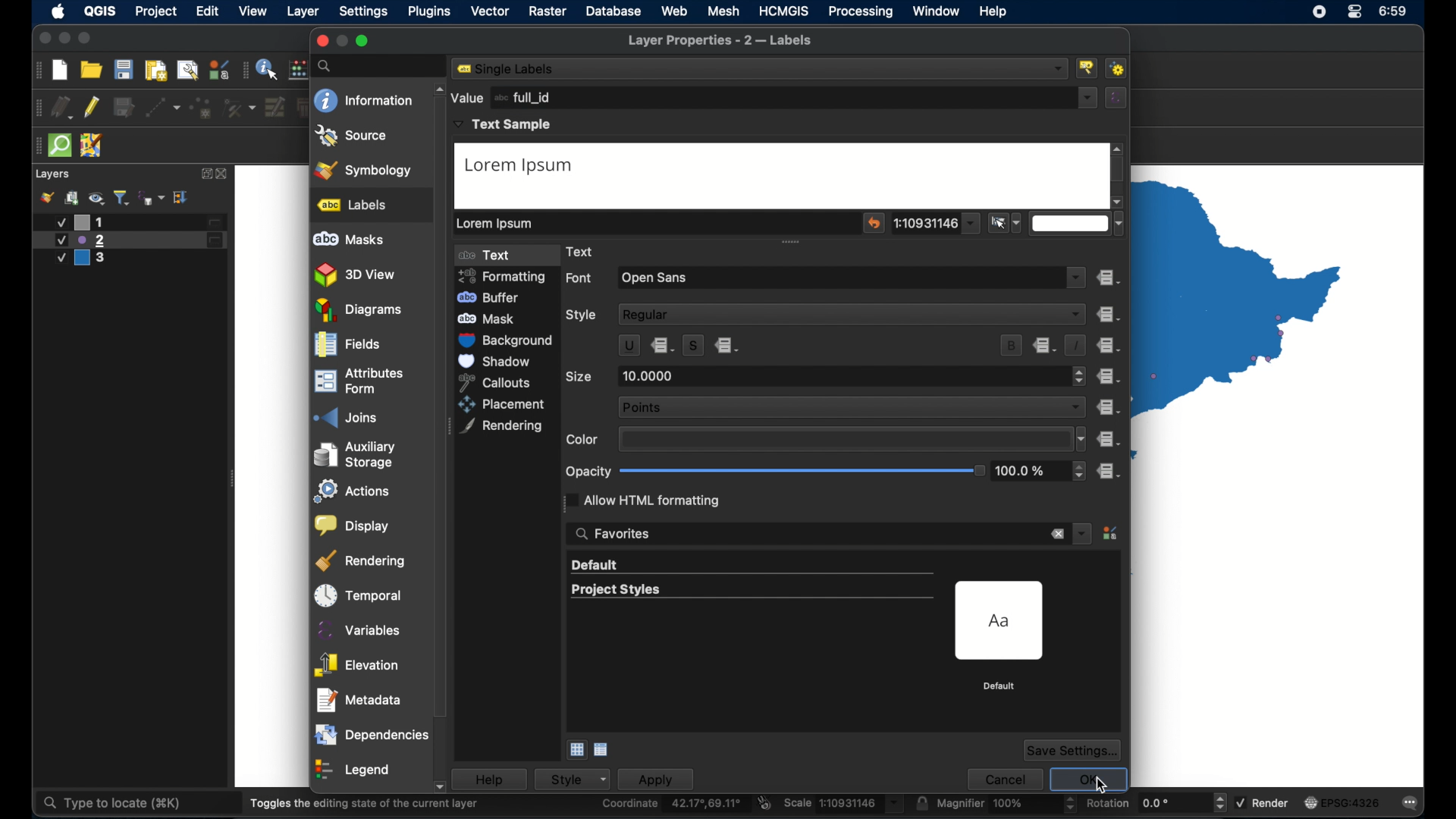 This screenshot has width=1456, height=819. What do you see at coordinates (91, 108) in the screenshot?
I see `toggle editing` at bounding box center [91, 108].